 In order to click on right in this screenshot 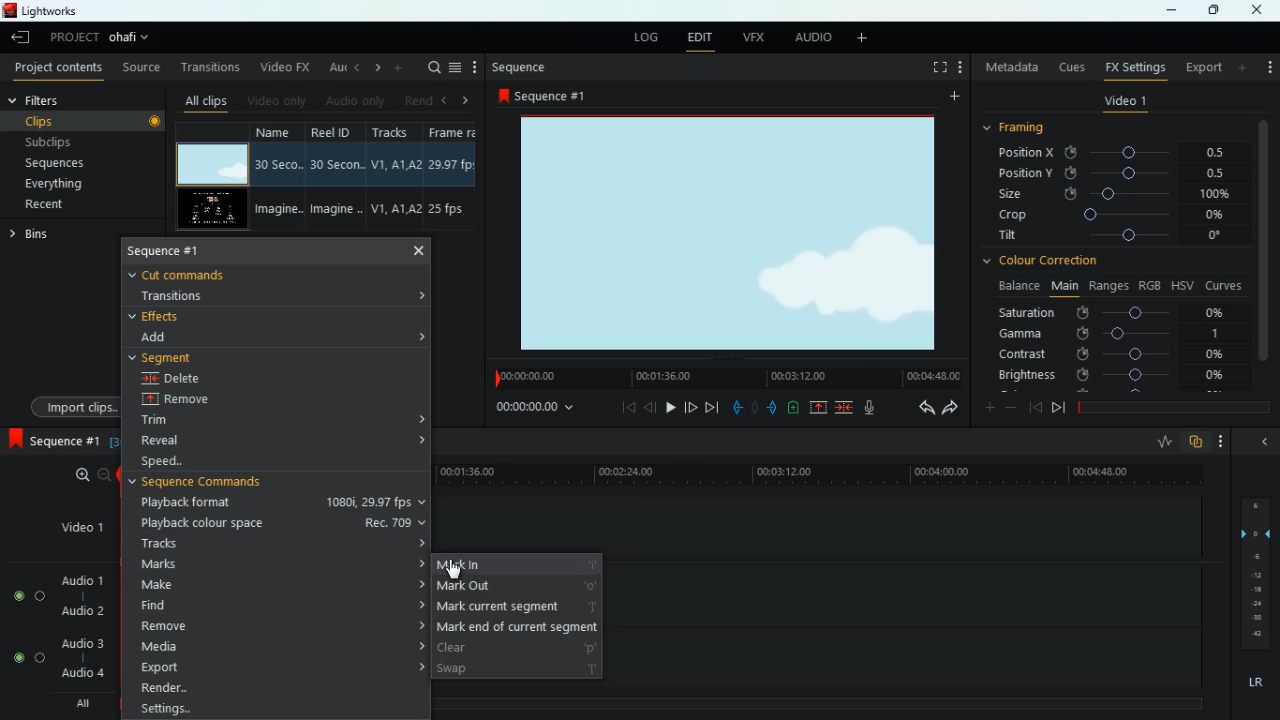, I will do `click(374, 69)`.